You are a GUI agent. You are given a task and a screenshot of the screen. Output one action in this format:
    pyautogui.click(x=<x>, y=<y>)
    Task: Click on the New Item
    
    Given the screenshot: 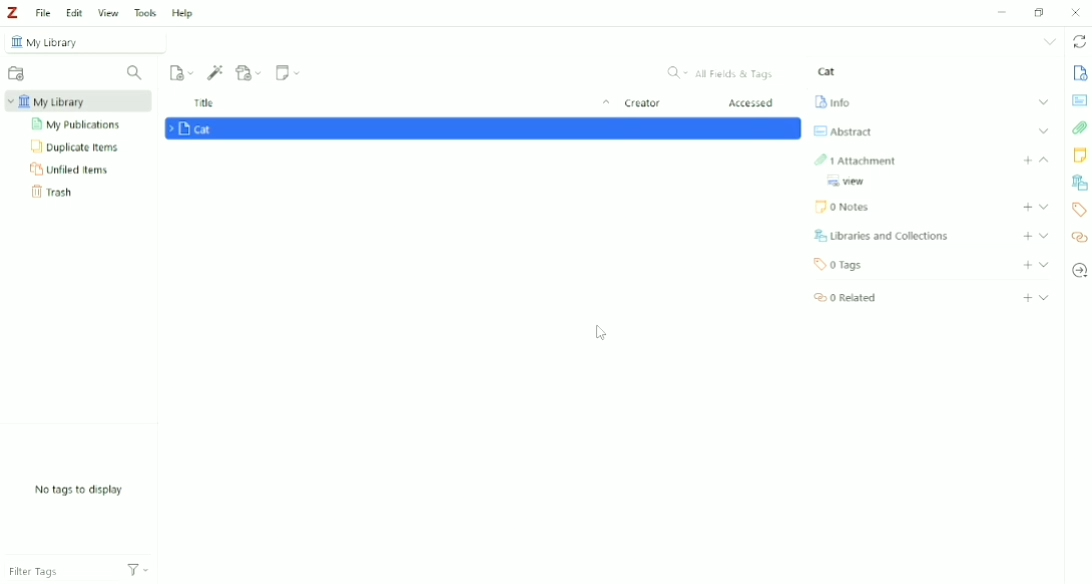 What is the action you would take?
    pyautogui.click(x=182, y=71)
    